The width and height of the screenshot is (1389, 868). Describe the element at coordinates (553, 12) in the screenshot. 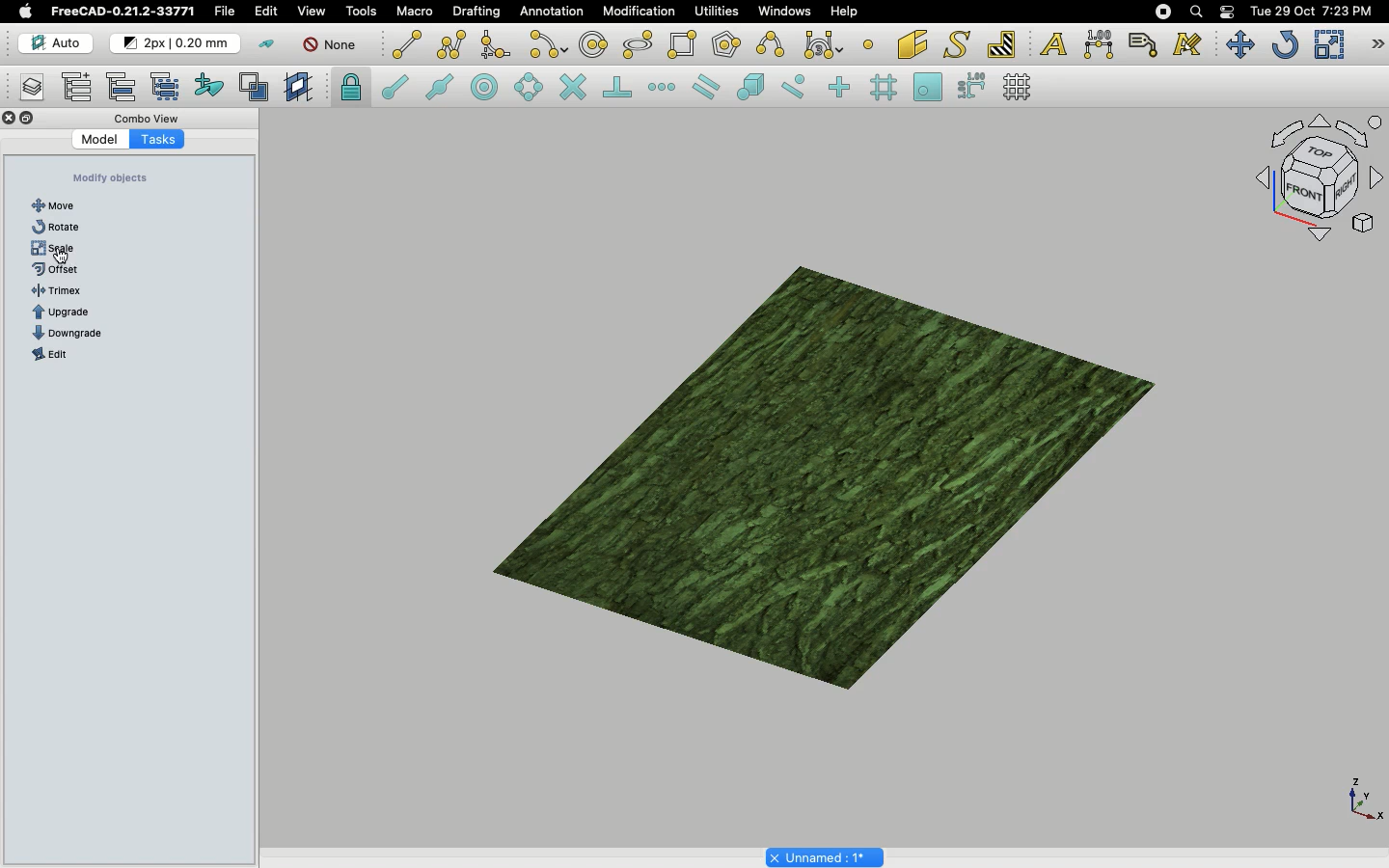

I see `Annotation` at that location.